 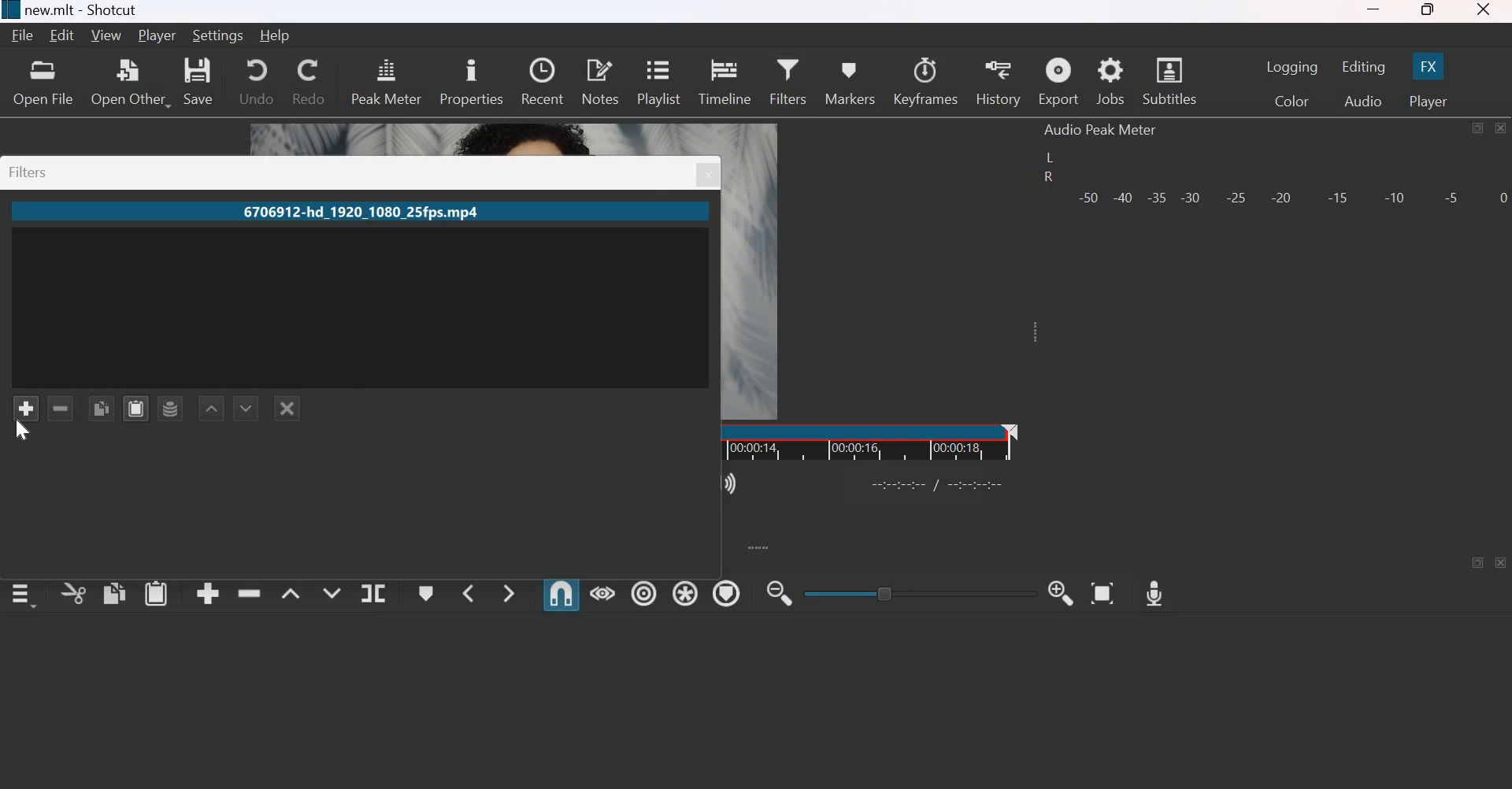 What do you see at coordinates (329, 591) in the screenshot?
I see `Overwrite` at bounding box center [329, 591].